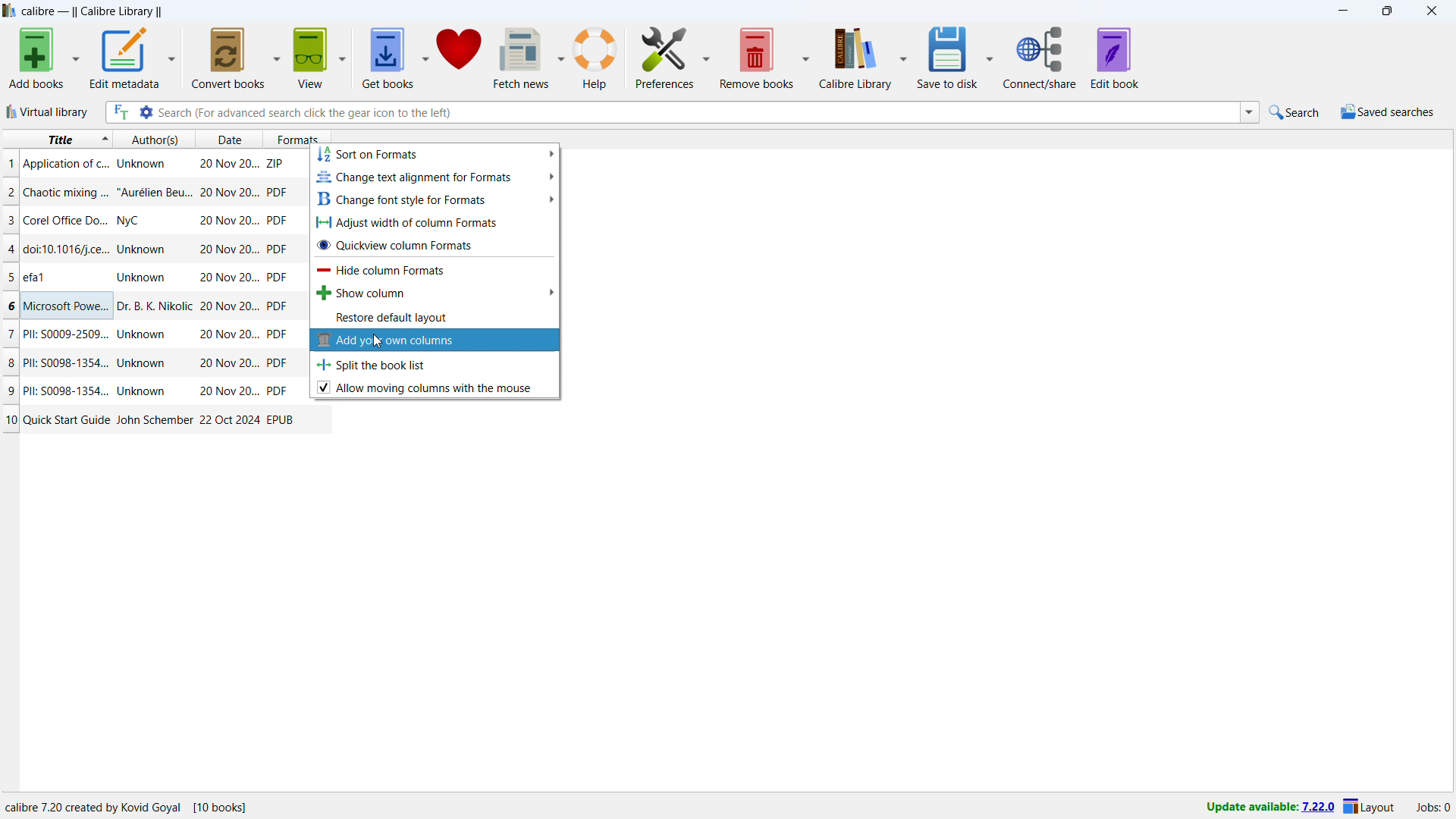  I want to click on date, so click(229, 221).